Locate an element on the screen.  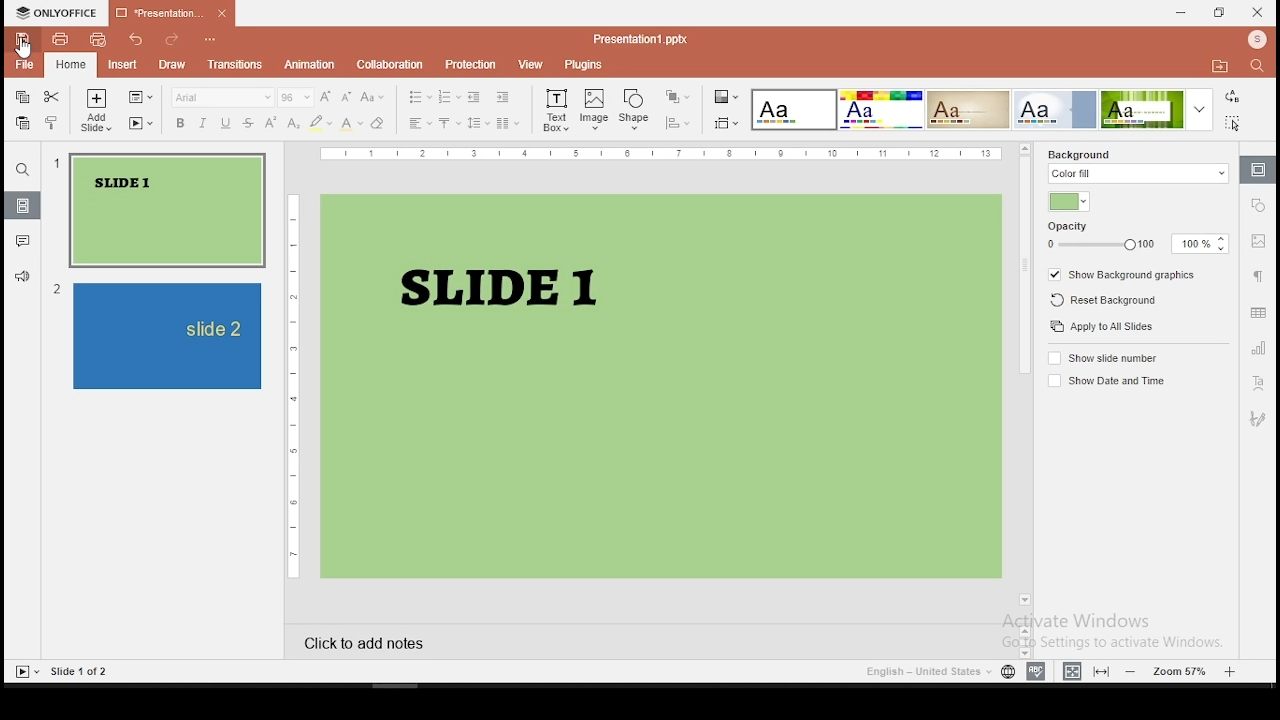
increment font size is located at coordinates (326, 96).